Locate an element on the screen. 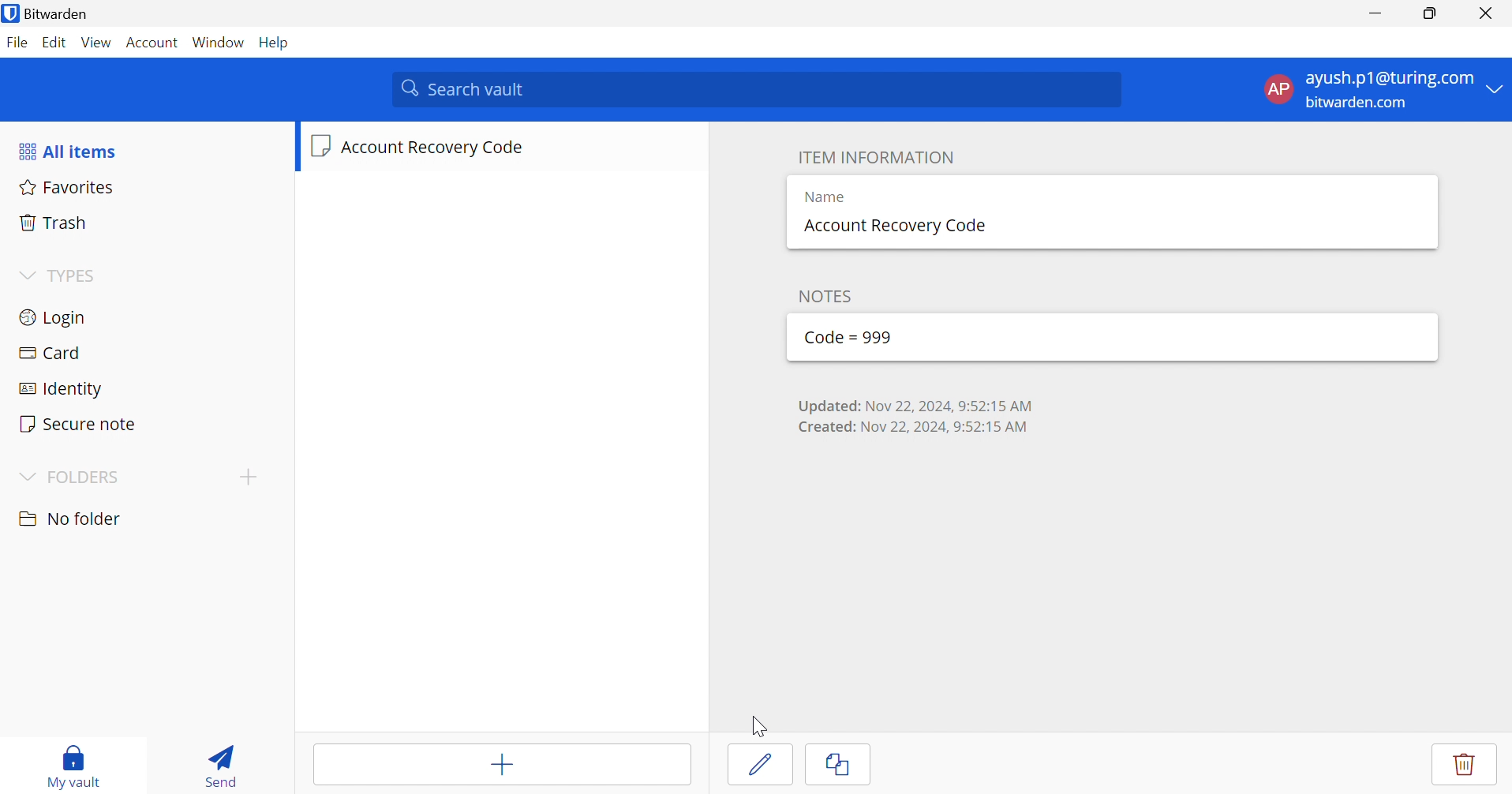 The height and width of the screenshot is (794, 1512). Account Recovery Code is located at coordinates (442, 150).